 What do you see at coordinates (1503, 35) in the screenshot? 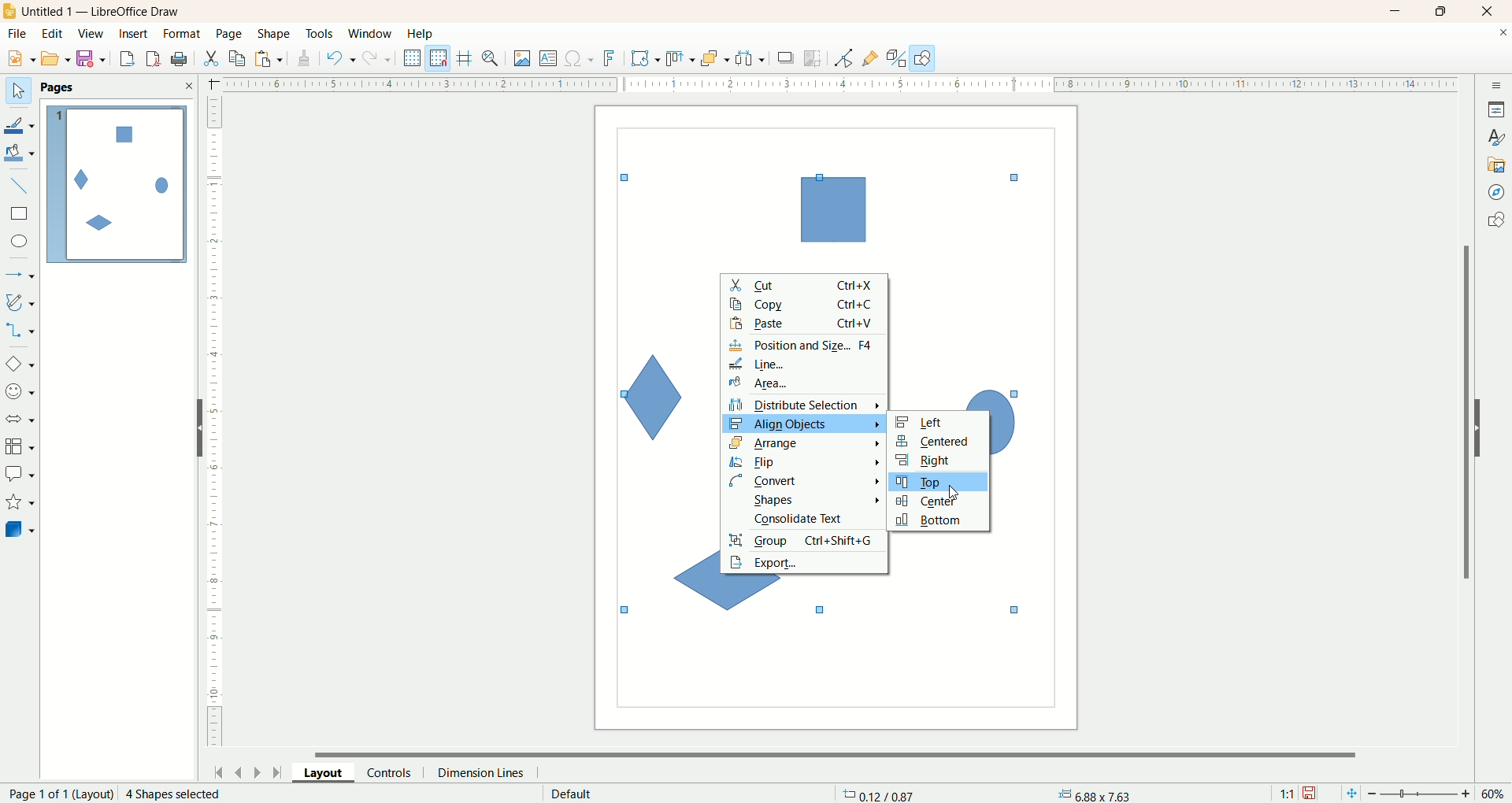
I see `close` at bounding box center [1503, 35].